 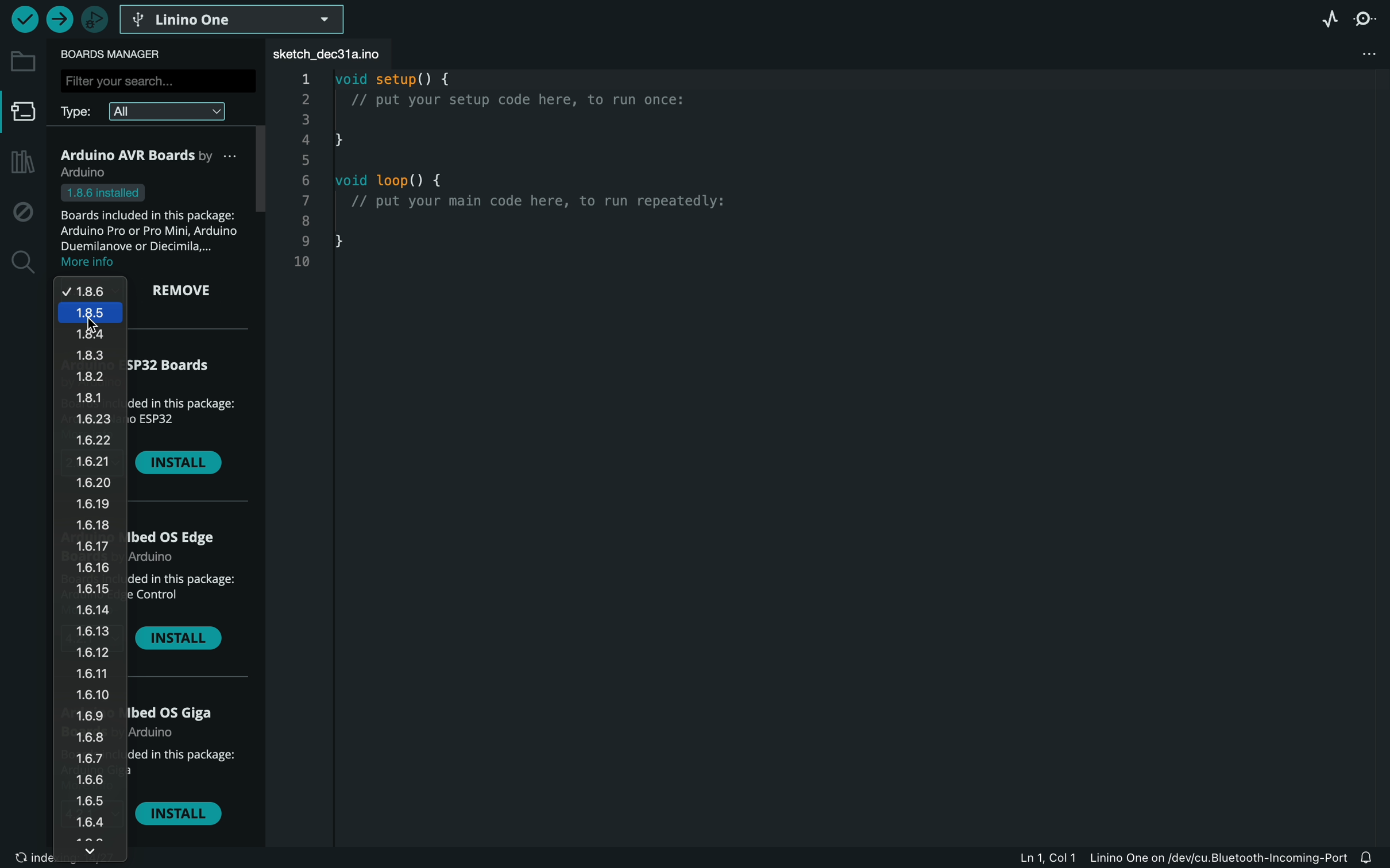 I want to click on 3, so click(x=306, y=118).